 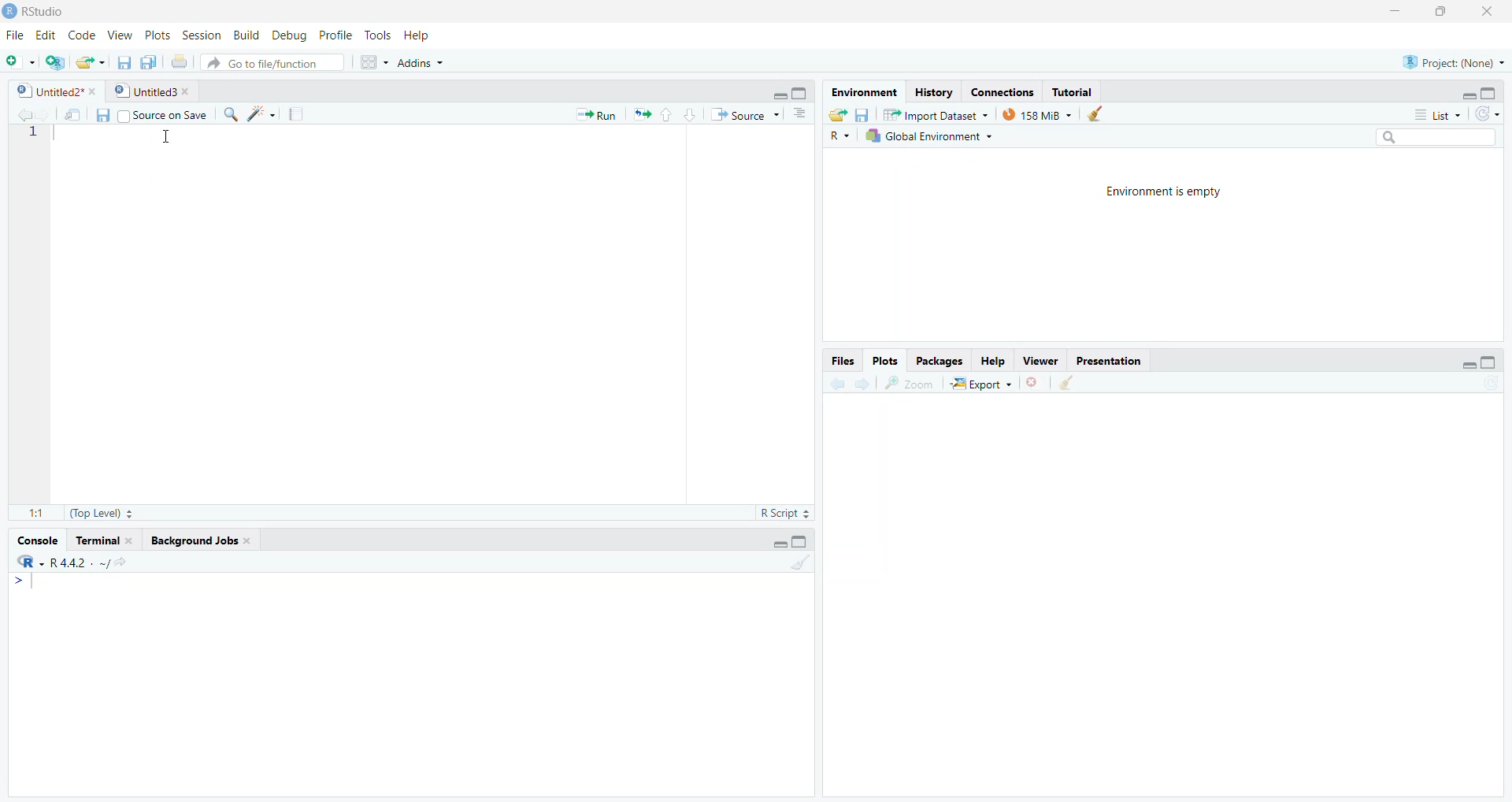 I want to click on Help, so click(x=433, y=35).